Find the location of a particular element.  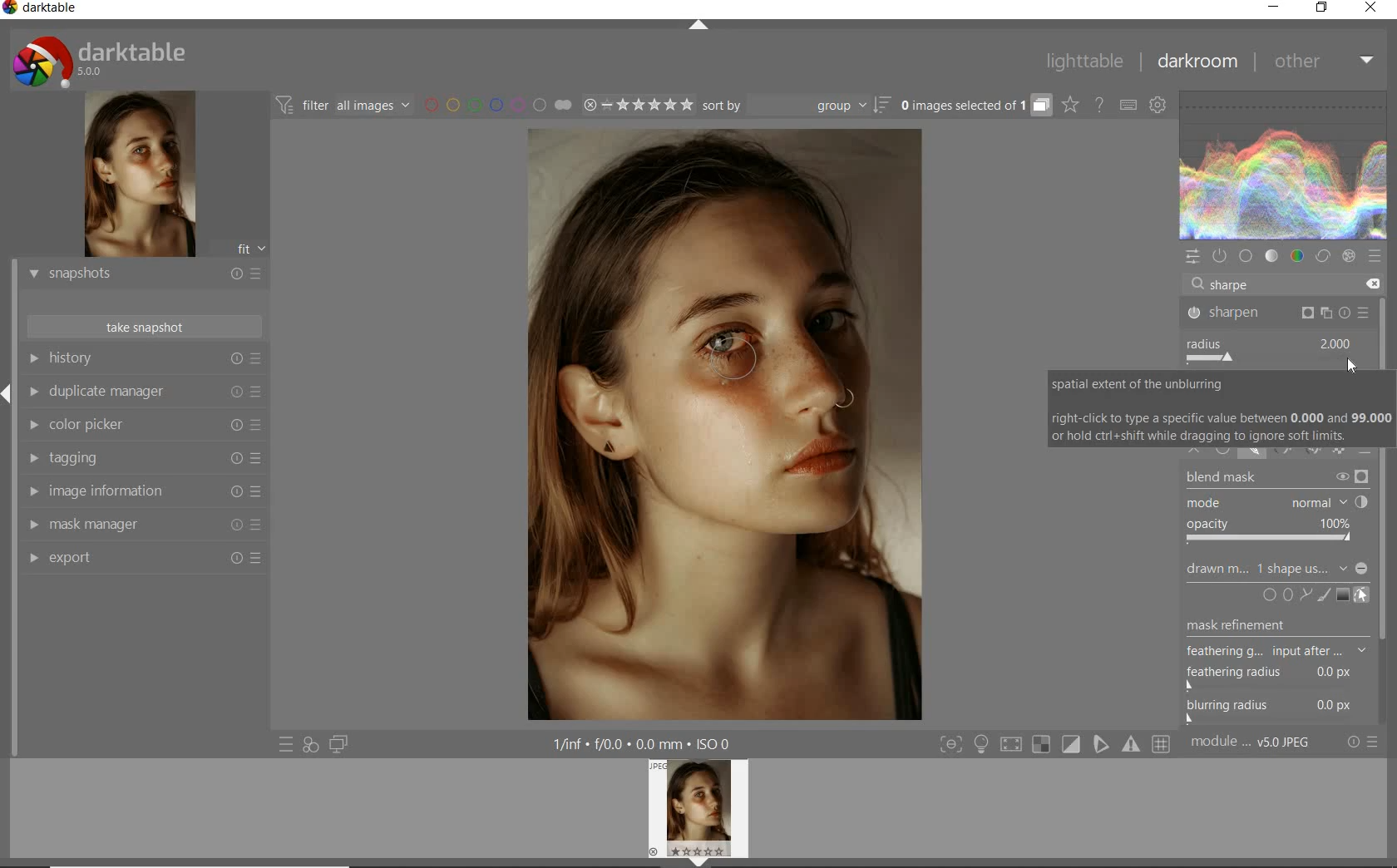

tone is located at coordinates (1272, 256).